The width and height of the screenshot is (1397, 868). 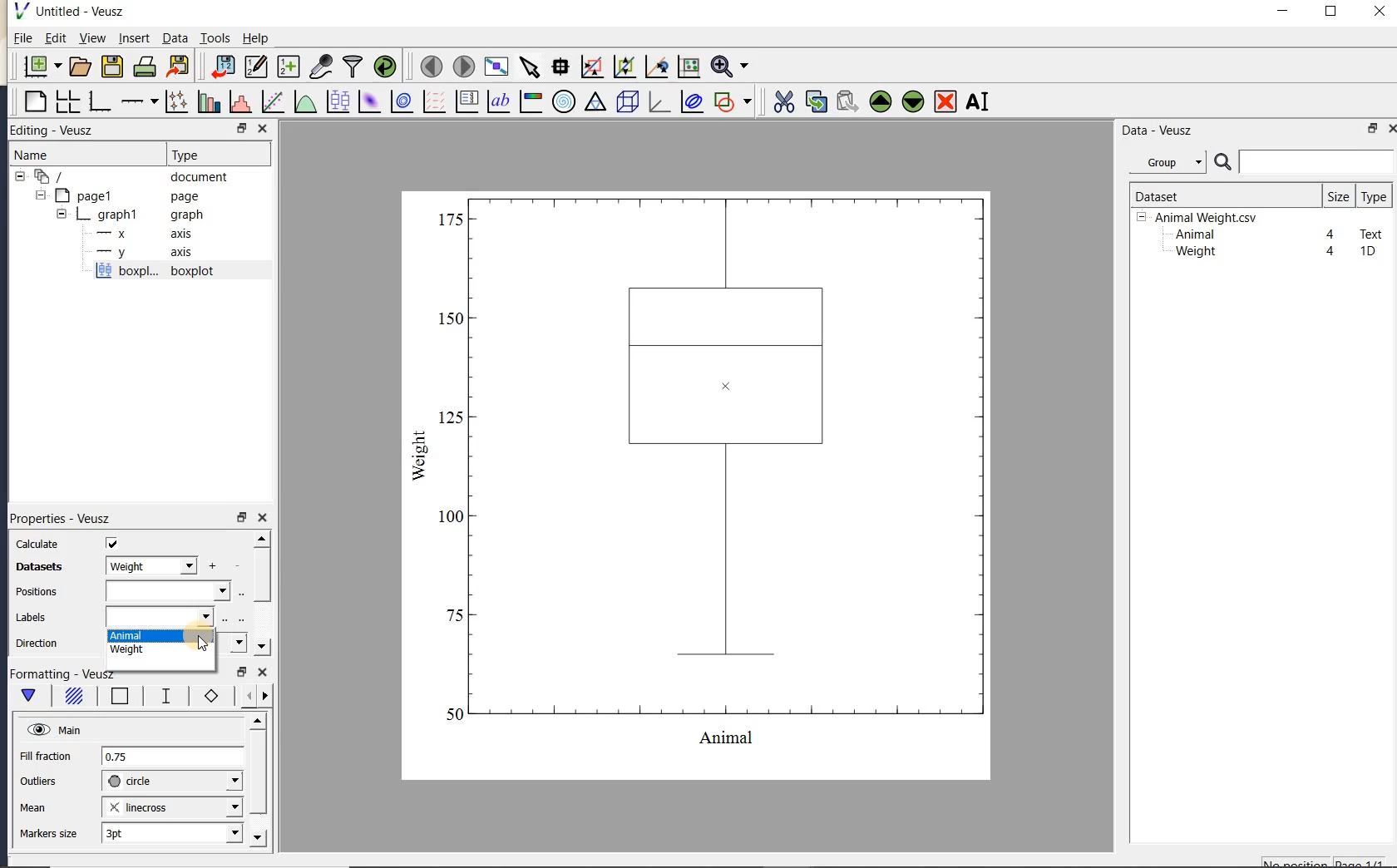 I want to click on Animal, so click(x=1193, y=235).